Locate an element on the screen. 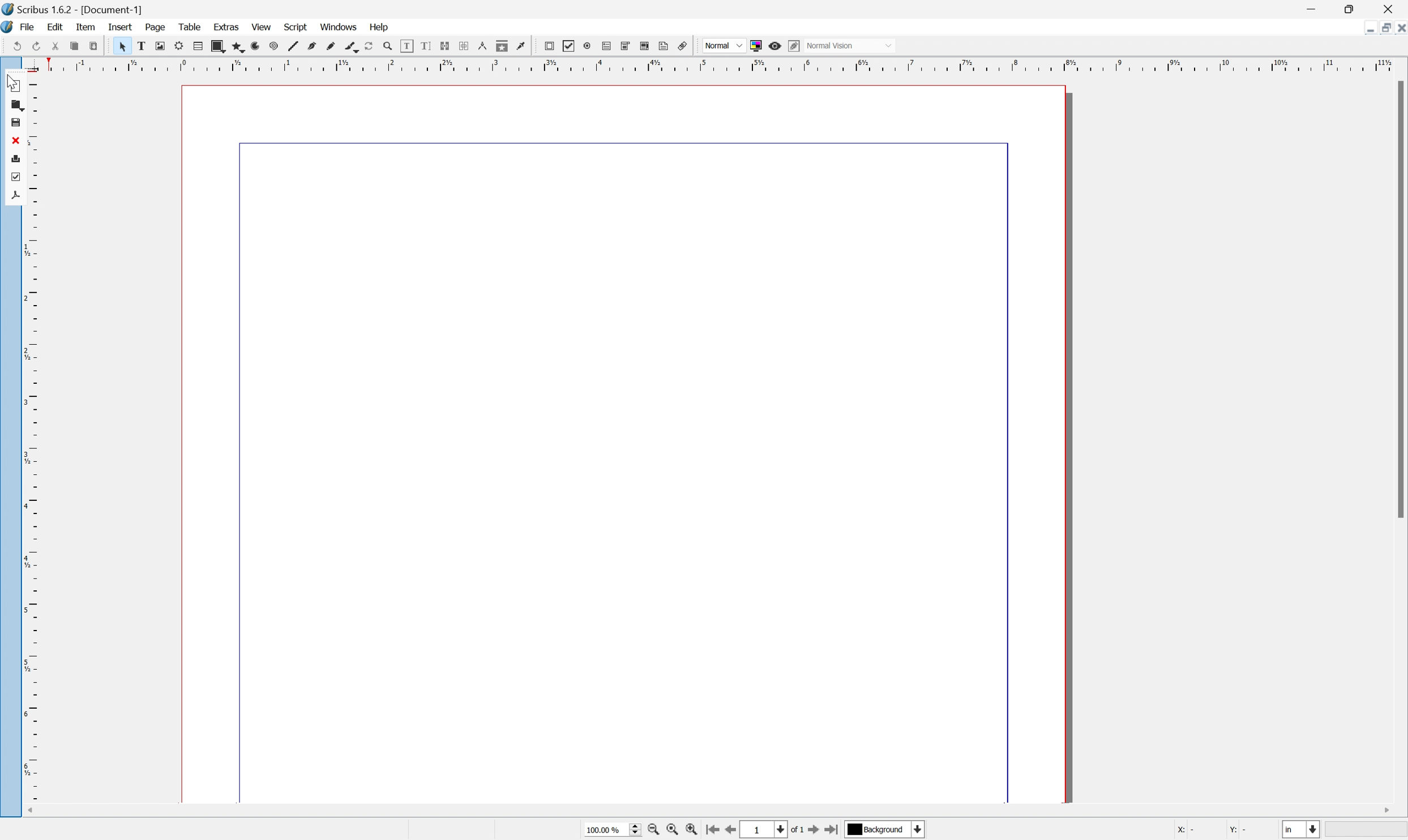  preflight verifier is located at coordinates (15, 177).